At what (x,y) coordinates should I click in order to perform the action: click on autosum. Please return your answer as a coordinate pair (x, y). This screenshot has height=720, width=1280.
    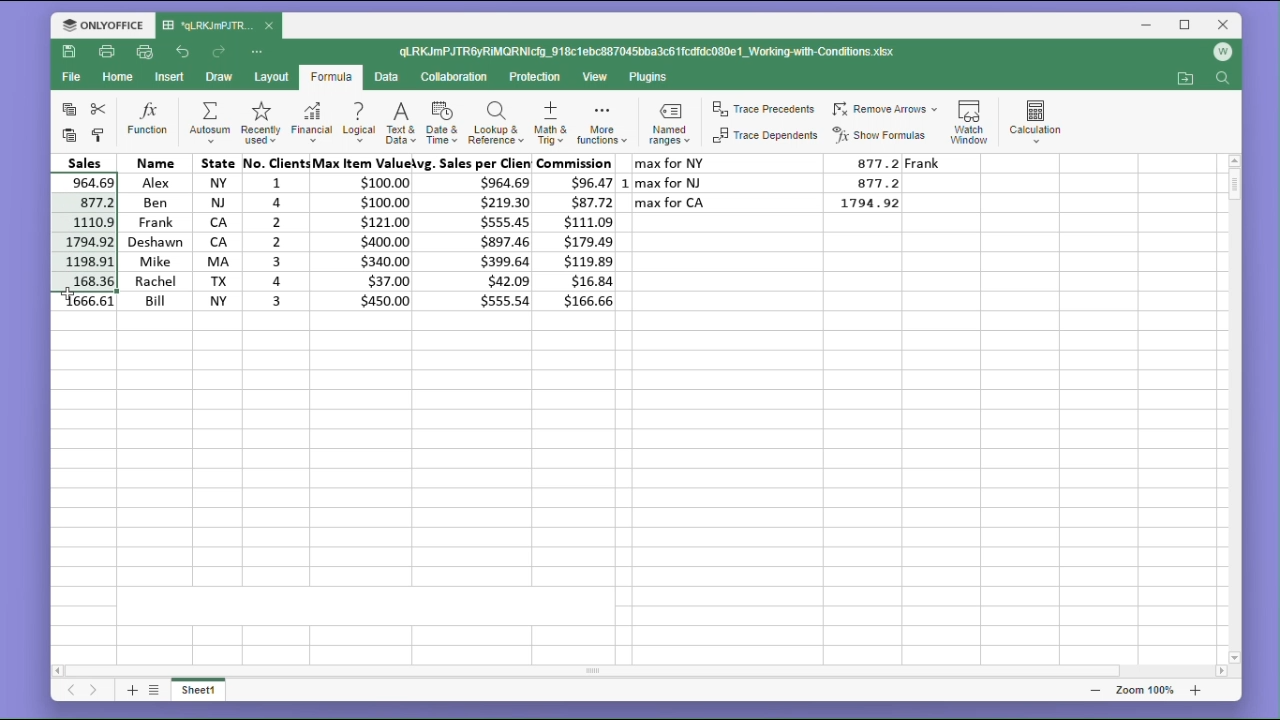
    Looking at the image, I should click on (209, 124).